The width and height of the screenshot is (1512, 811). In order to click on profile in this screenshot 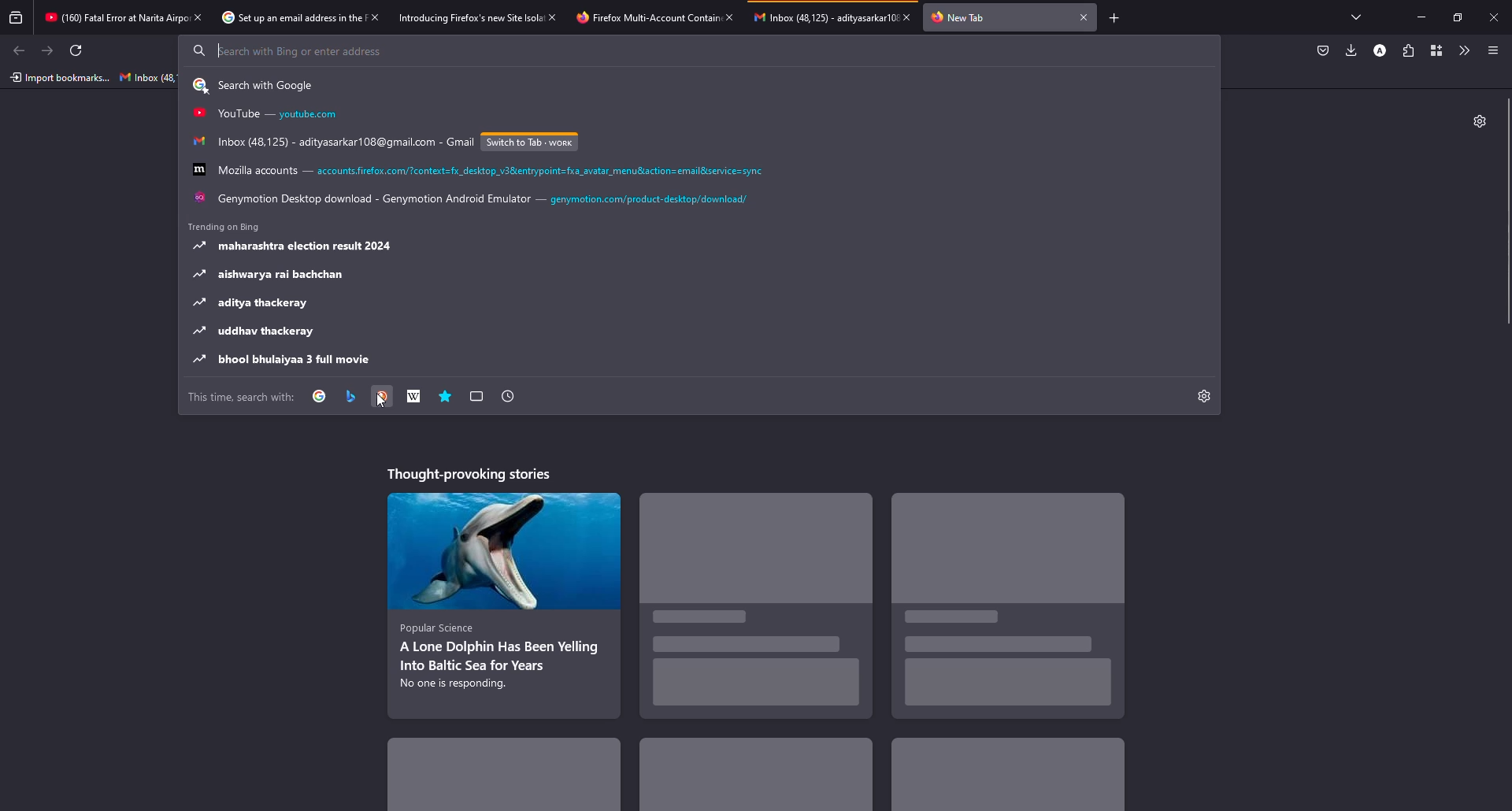, I will do `click(1380, 51)`.